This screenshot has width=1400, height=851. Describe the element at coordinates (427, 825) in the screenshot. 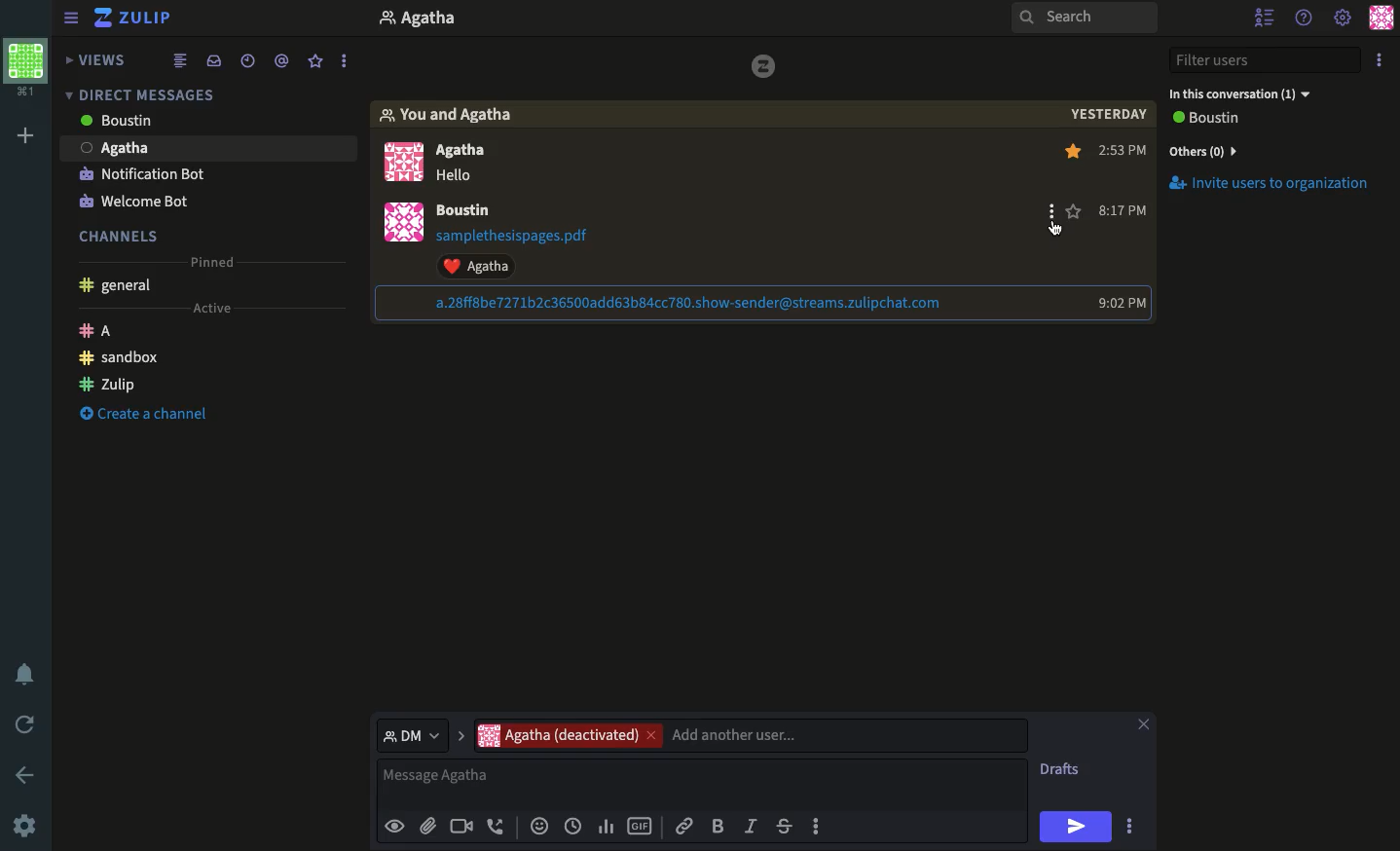

I see `File attachment` at that location.